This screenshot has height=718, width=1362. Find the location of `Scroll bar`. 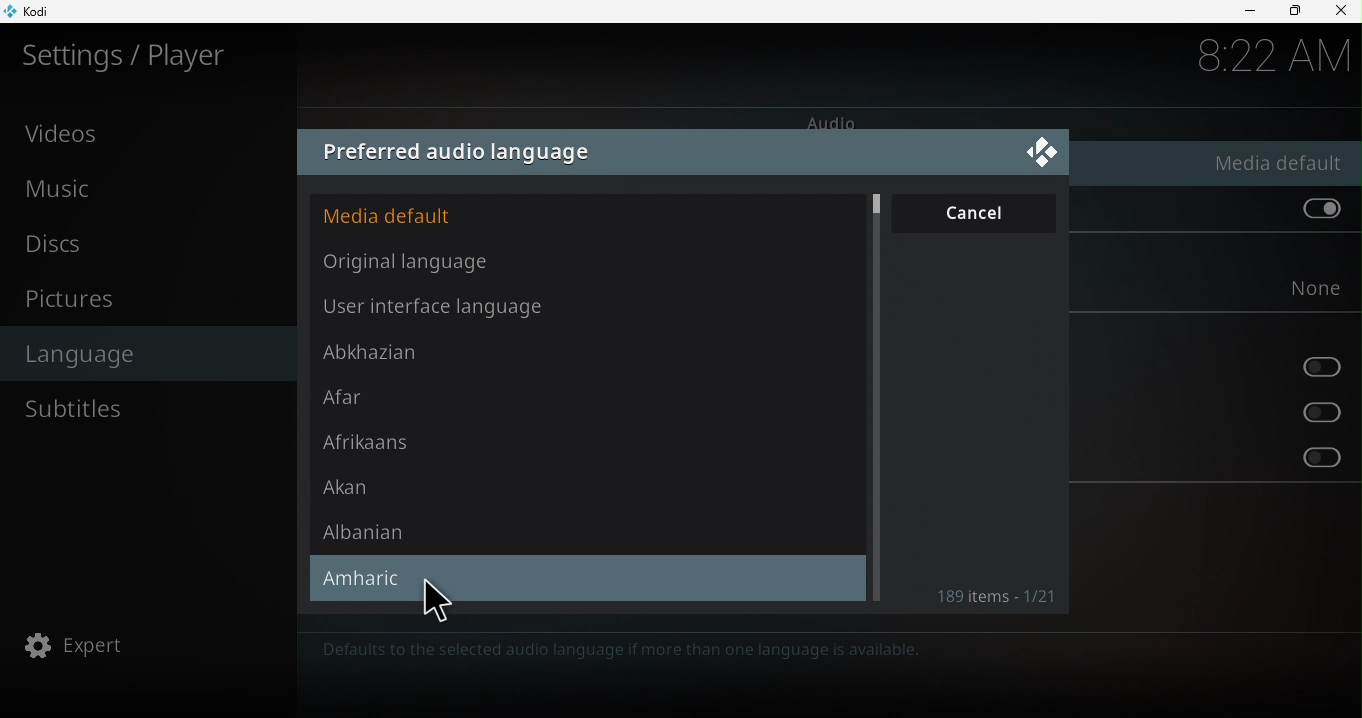

Scroll bar is located at coordinates (873, 395).